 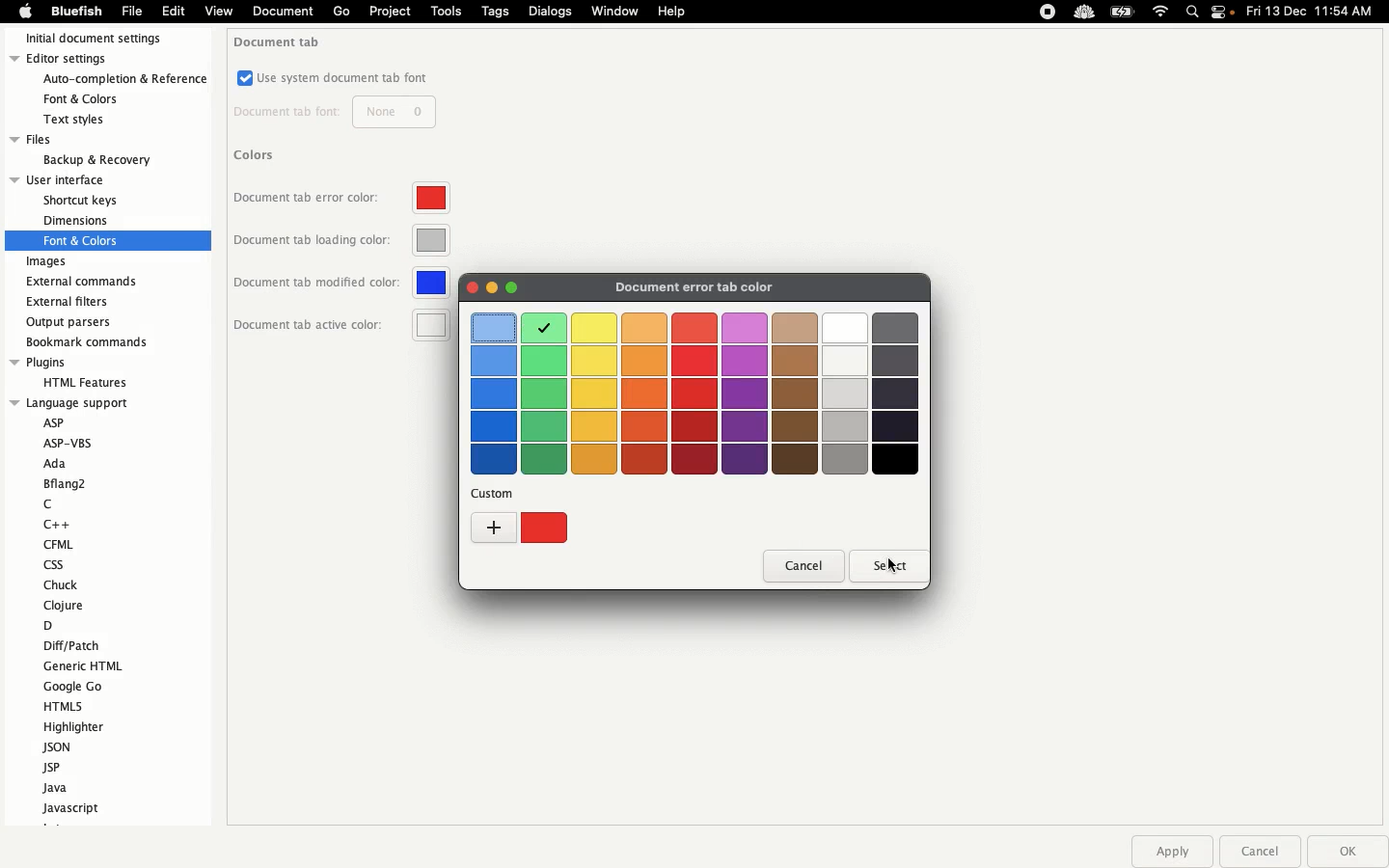 What do you see at coordinates (550, 11) in the screenshot?
I see `Dialogs` at bounding box center [550, 11].